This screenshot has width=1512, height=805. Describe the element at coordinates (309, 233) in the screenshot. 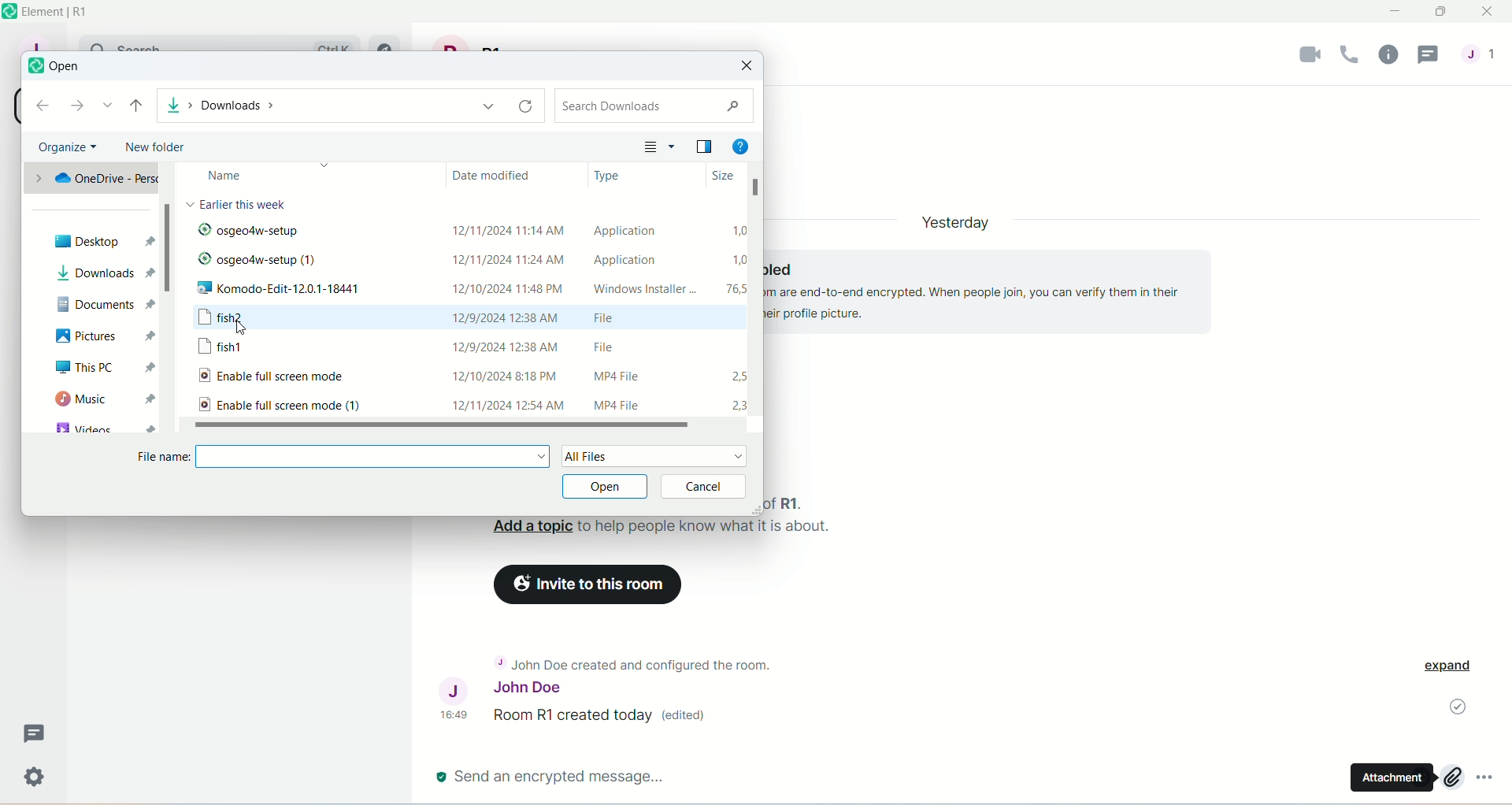

I see `7 osgeosw-setup` at that location.